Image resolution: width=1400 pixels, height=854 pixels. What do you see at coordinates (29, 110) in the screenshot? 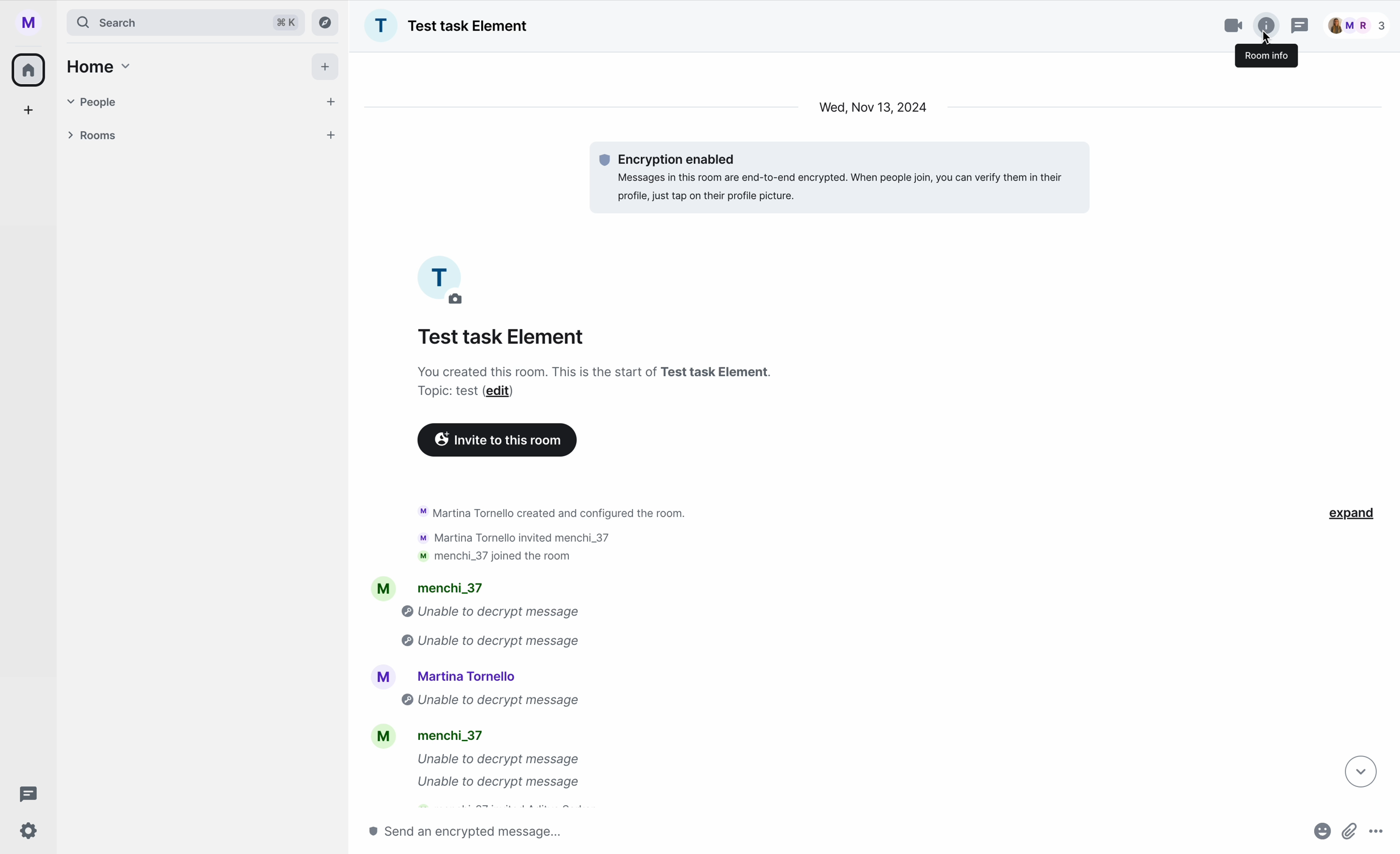
I see `add` at bounding box center [29, 110].